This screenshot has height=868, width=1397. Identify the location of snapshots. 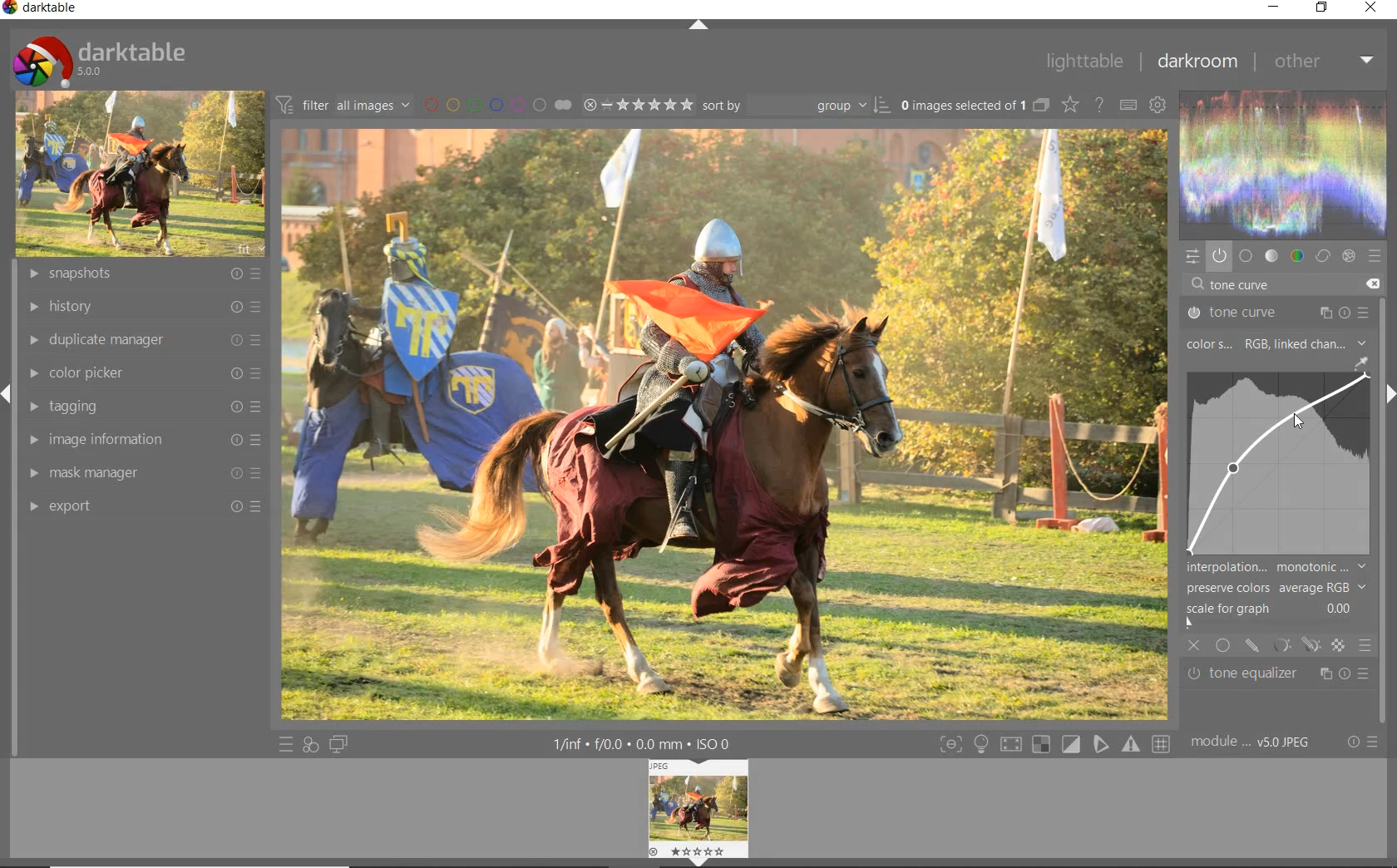
(146, 274).